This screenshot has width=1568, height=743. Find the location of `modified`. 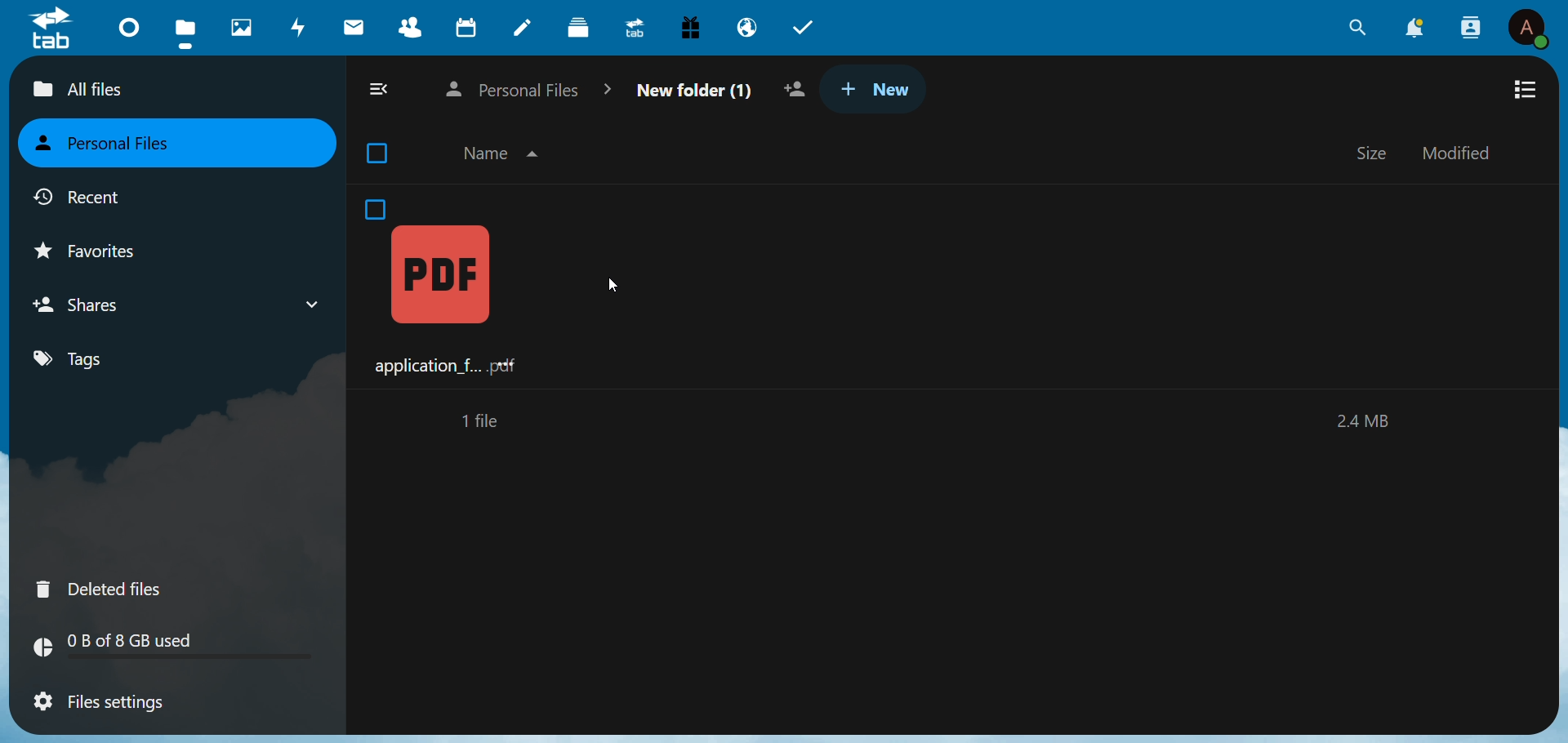

modified is located at coordinates (1469, 153).